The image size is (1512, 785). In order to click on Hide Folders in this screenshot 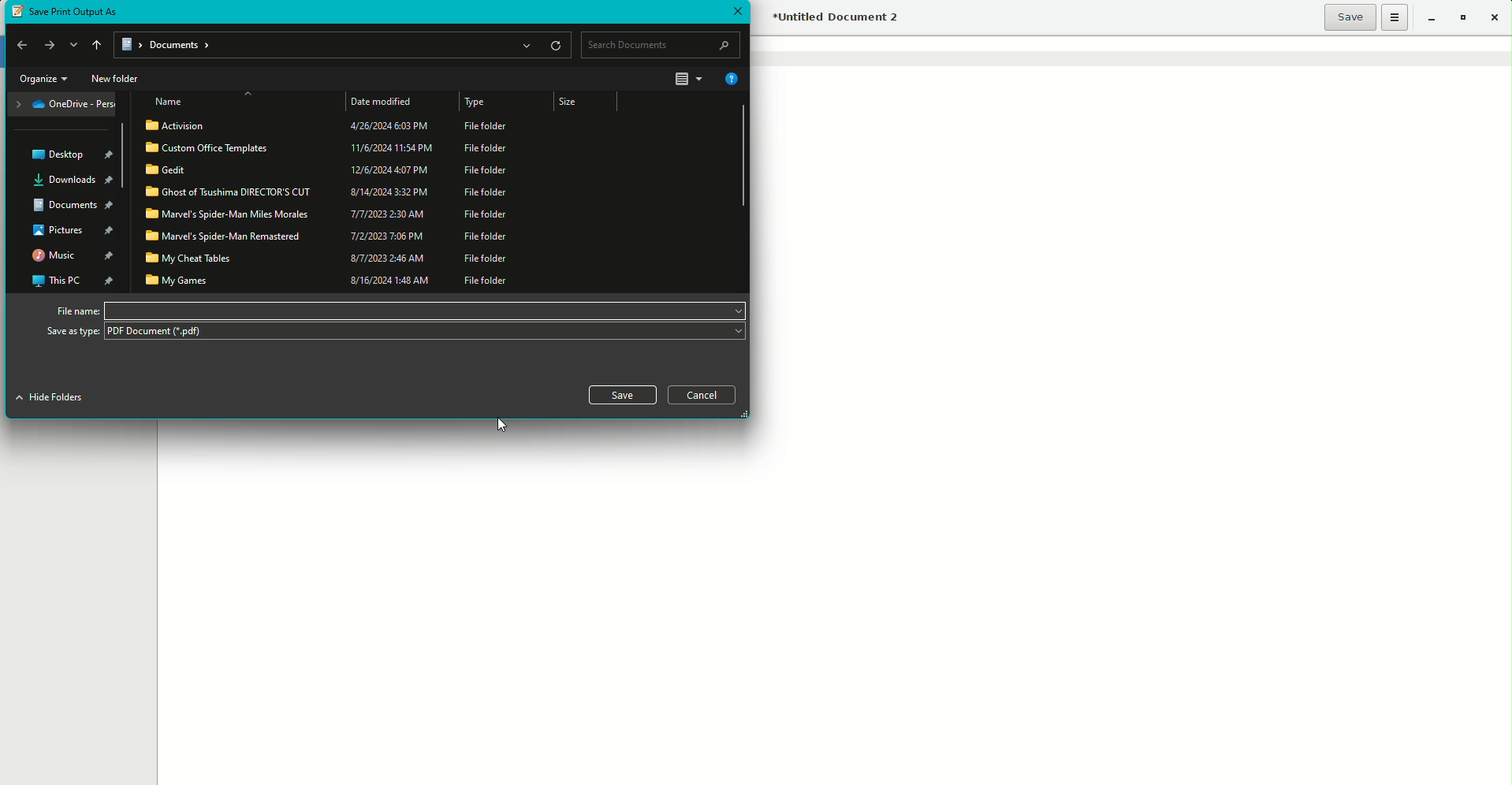, I will do `click(56, 399)`.